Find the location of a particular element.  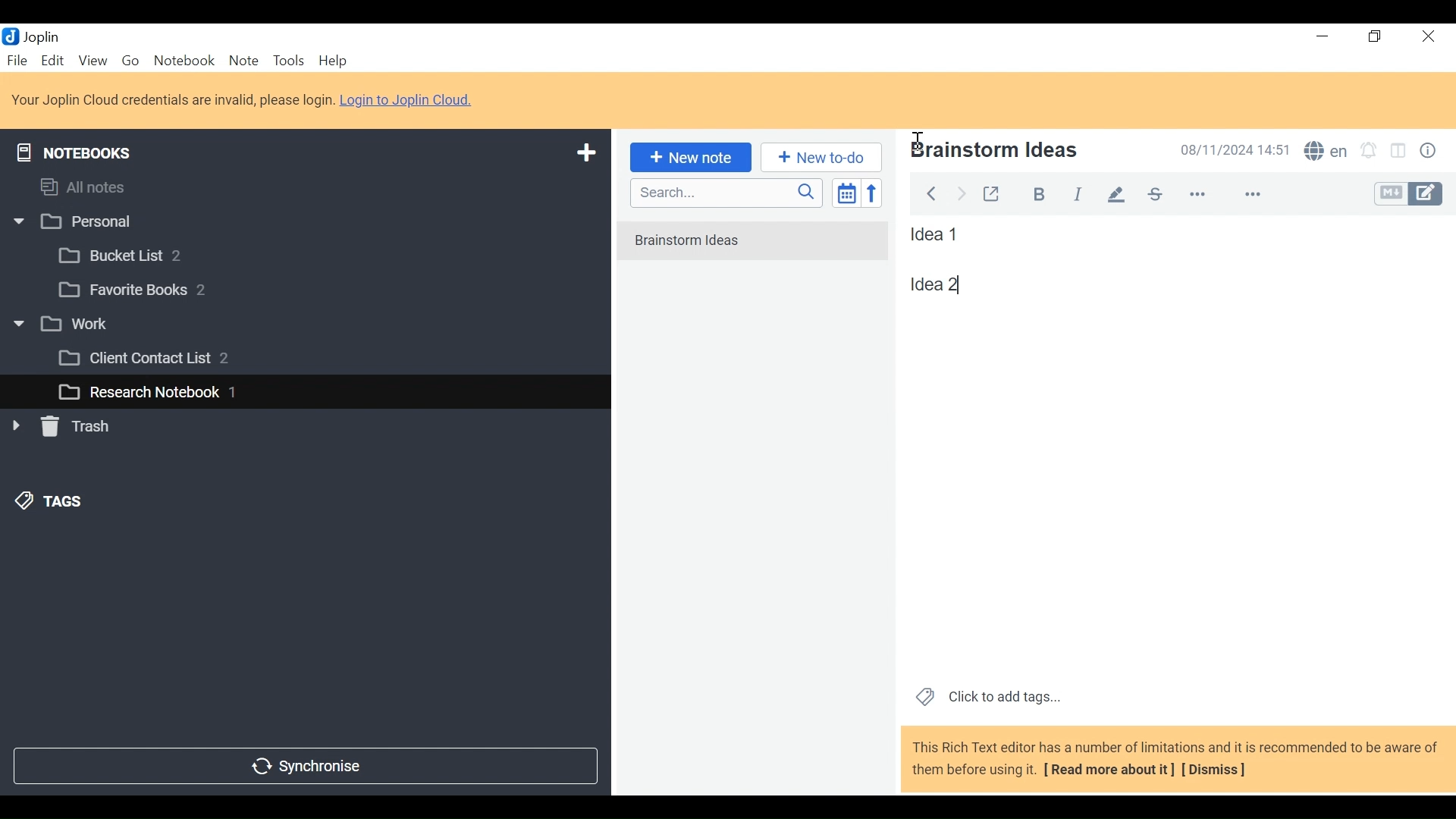

Add New to Do is located at coordinates (821, 158).